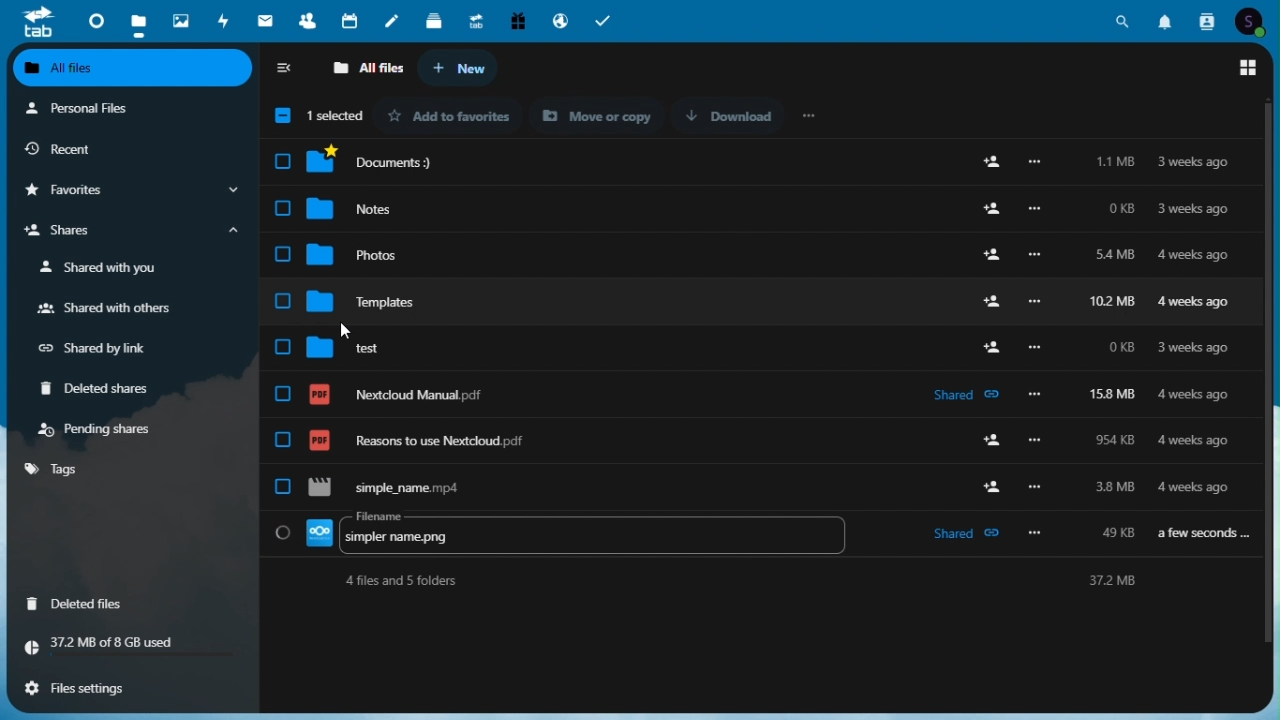 The height and width of the screenshot is (720, 1280). Describe the element at coordinates (762, 162) in the screenshot. I see `Documents:) 1.1 MB 3 weeks ago` at that location.